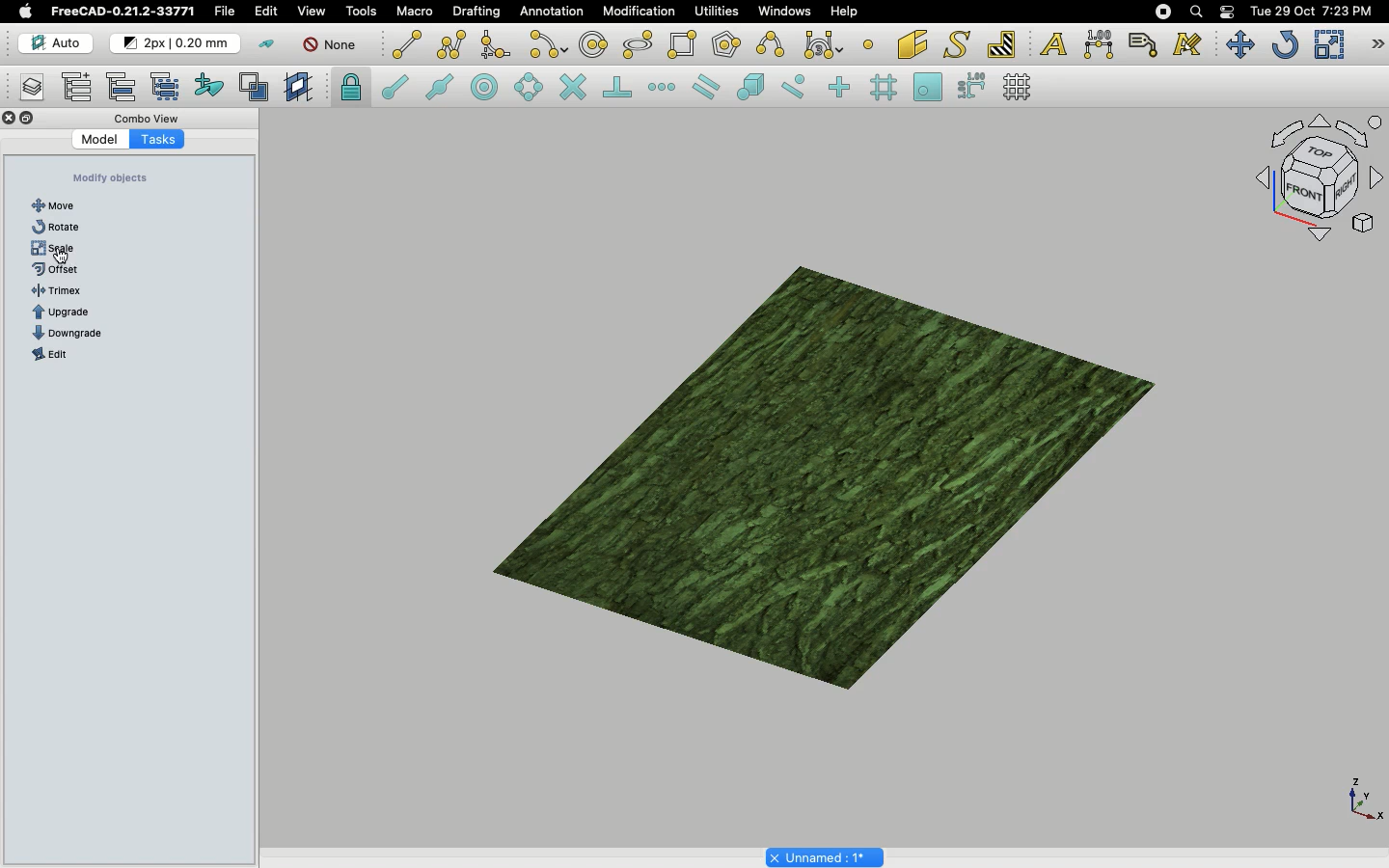  What do you see at coordinates (78, 86) in the screenshot?
I see `Add new named group` at bounding box center [78, 86].